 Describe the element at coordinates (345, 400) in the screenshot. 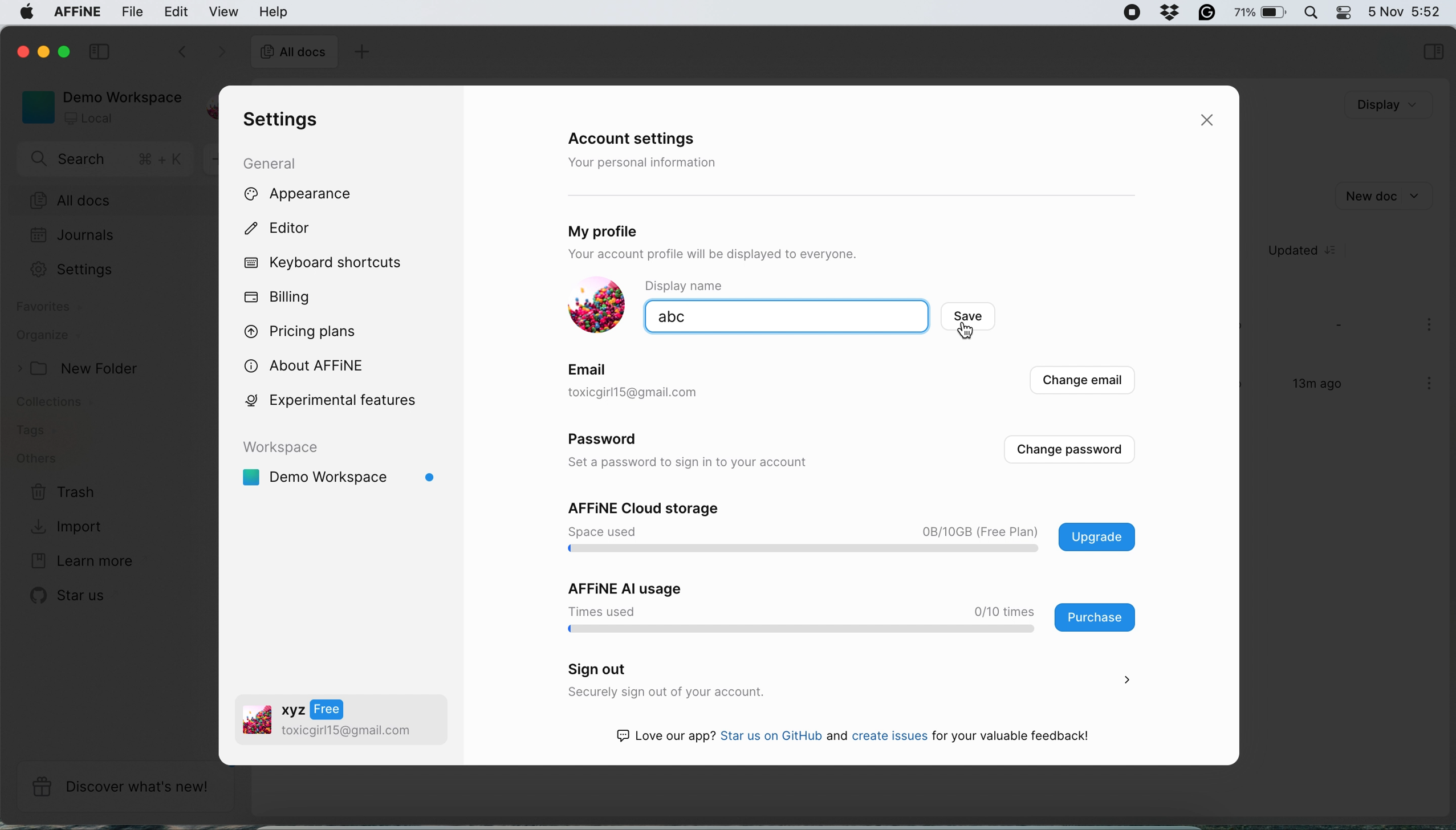

I see `experimental features` at that location.